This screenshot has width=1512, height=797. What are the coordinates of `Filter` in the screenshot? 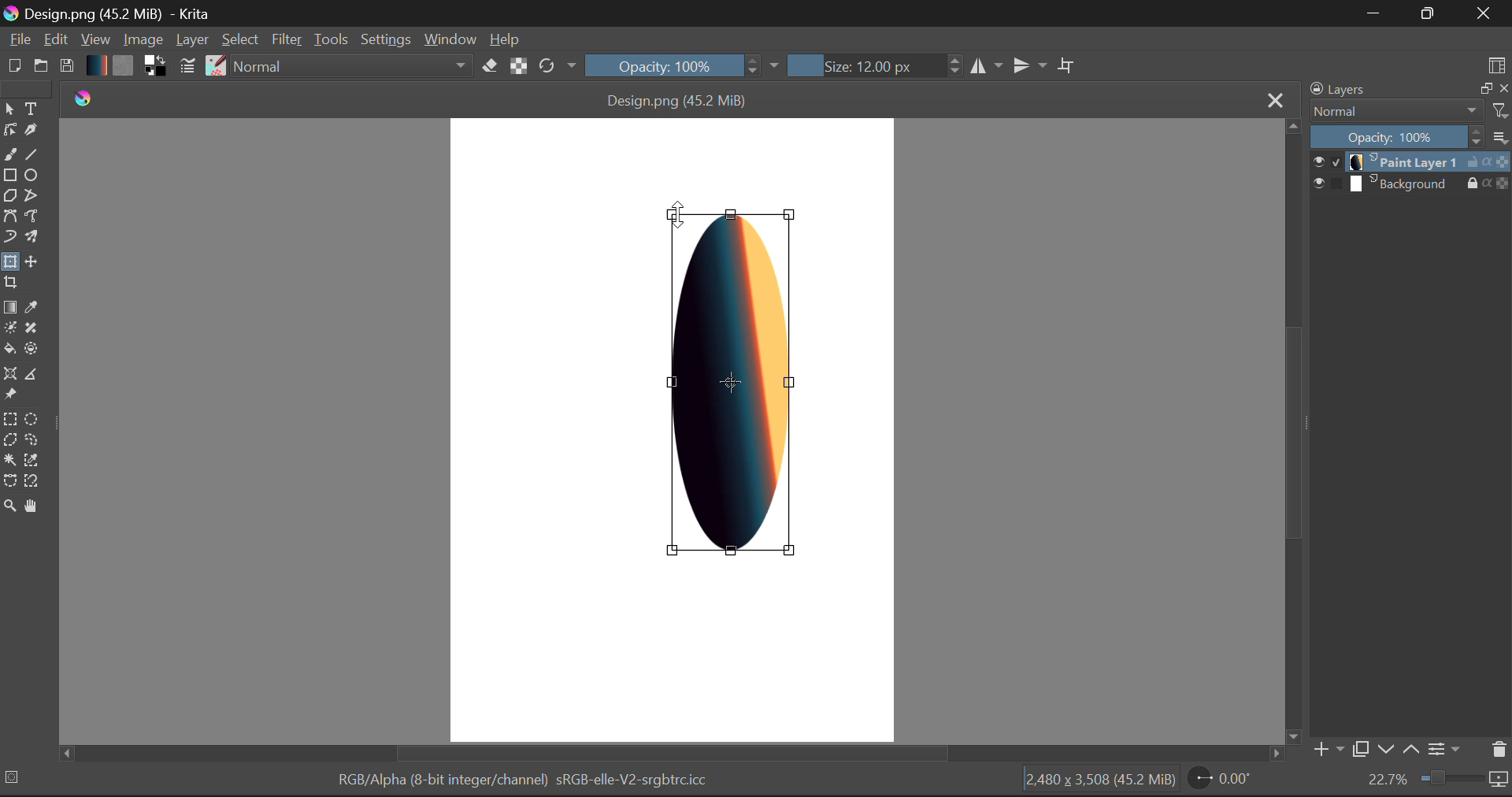 It's located at (287, 39).